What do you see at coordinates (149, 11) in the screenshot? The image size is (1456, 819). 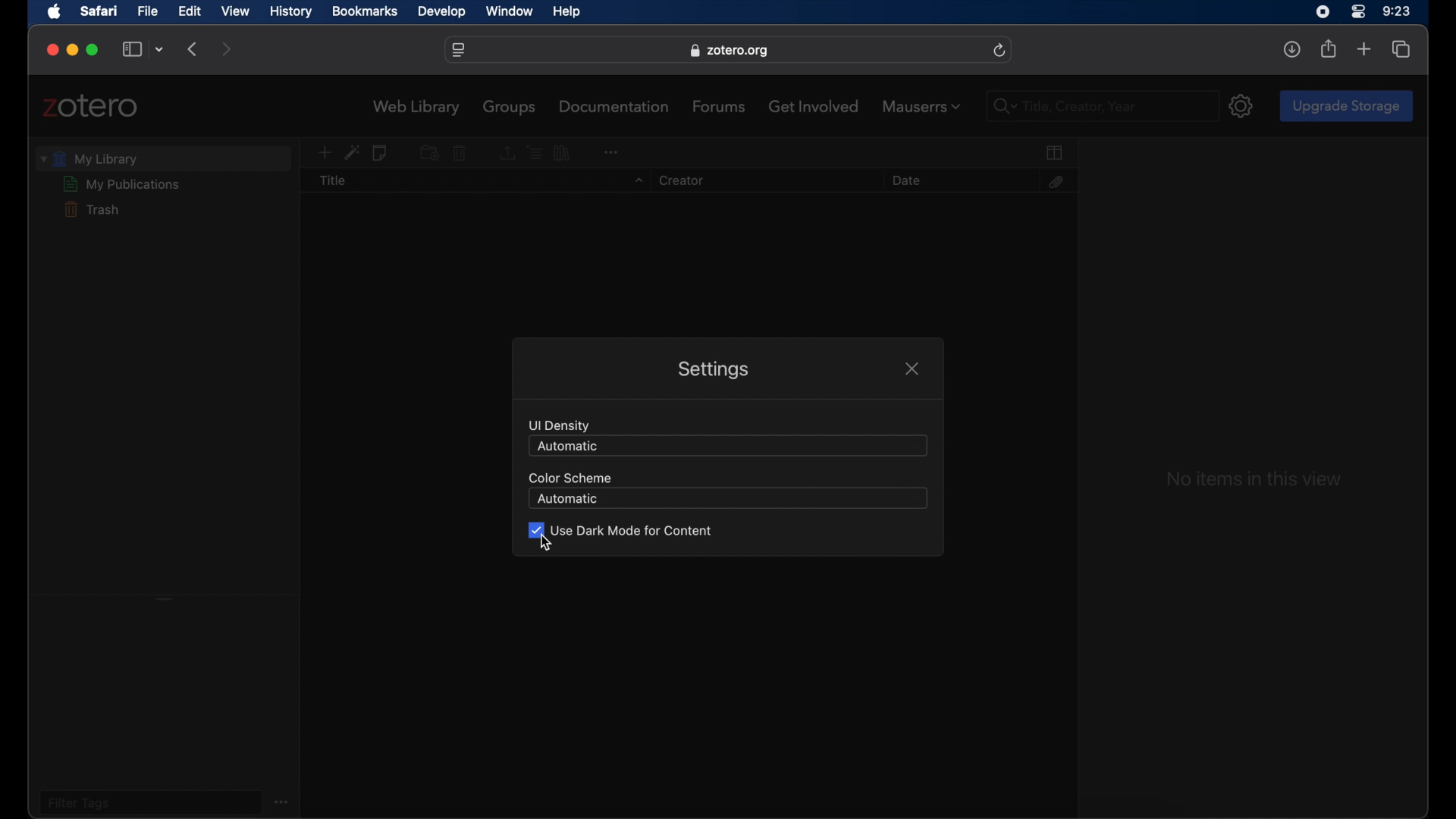 I see `file` at bounding box center [149, 11].